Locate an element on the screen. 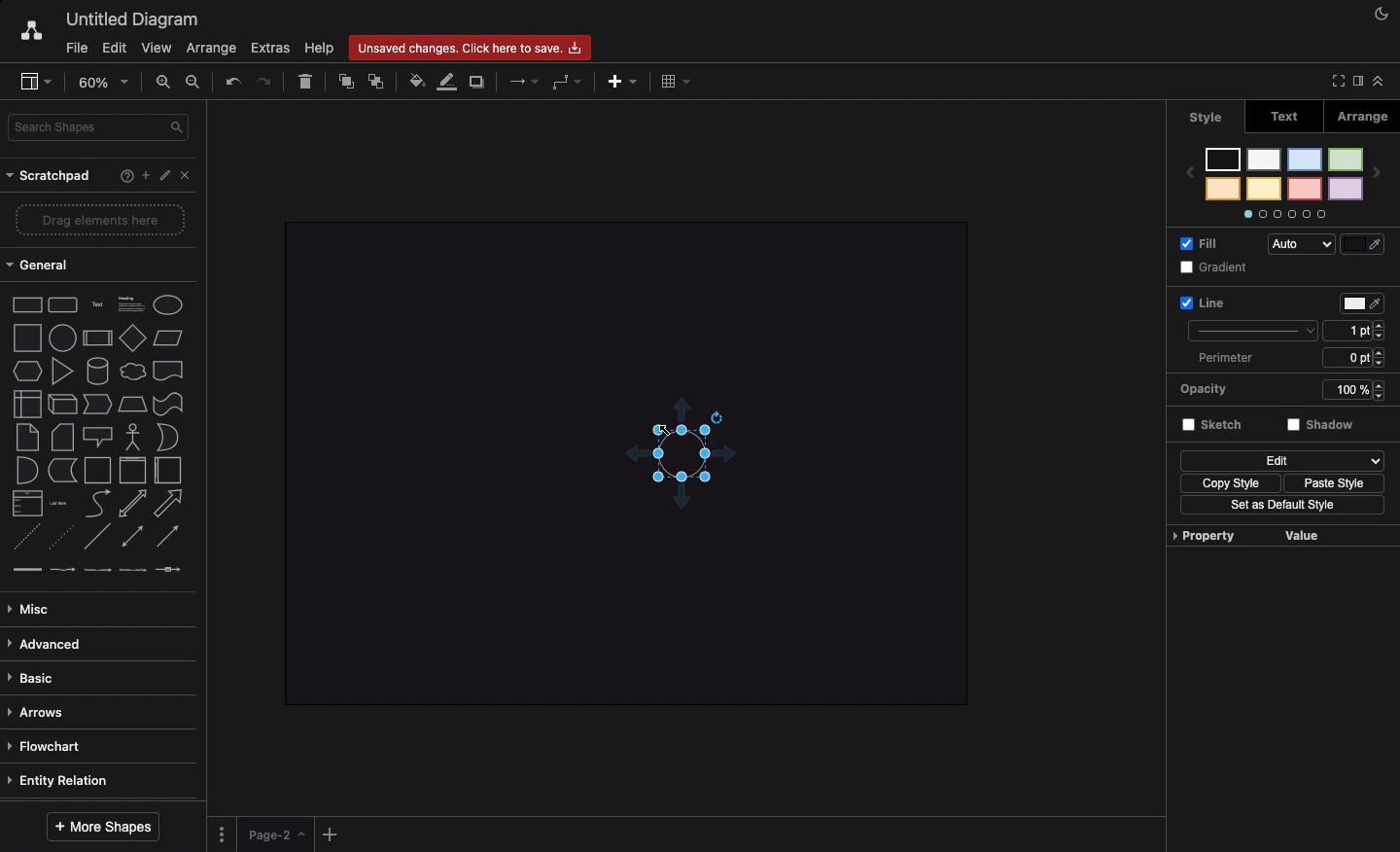 The image size is (1400, 852). Sketch is located at coordinates (1214, 426).